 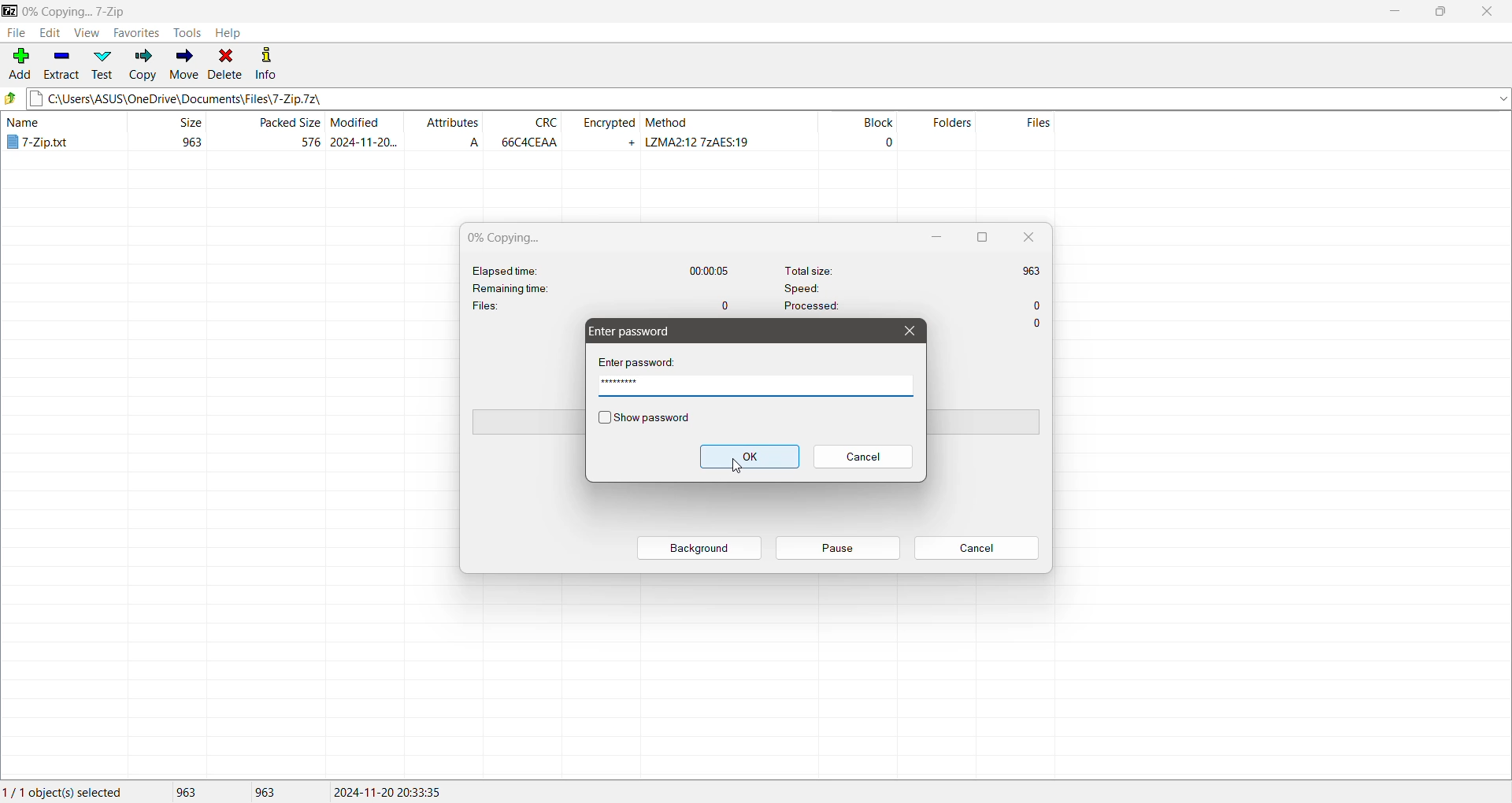 I want to click on Test, so click(x=102, y=65).